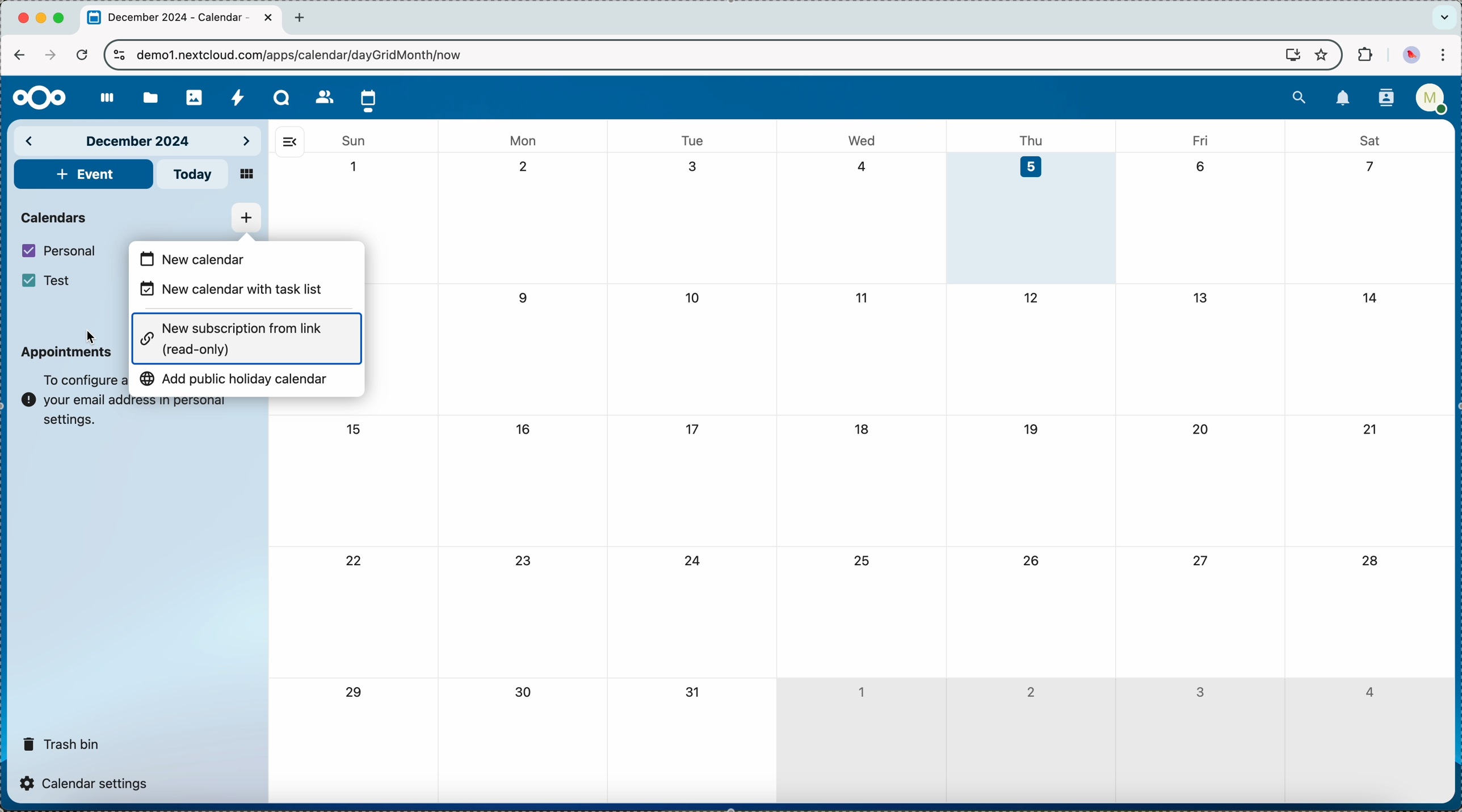 This screenshot has width=1462, height=812. Describe the element at coordinates (120, 56) in the screenshot. I see `controls` at that location.